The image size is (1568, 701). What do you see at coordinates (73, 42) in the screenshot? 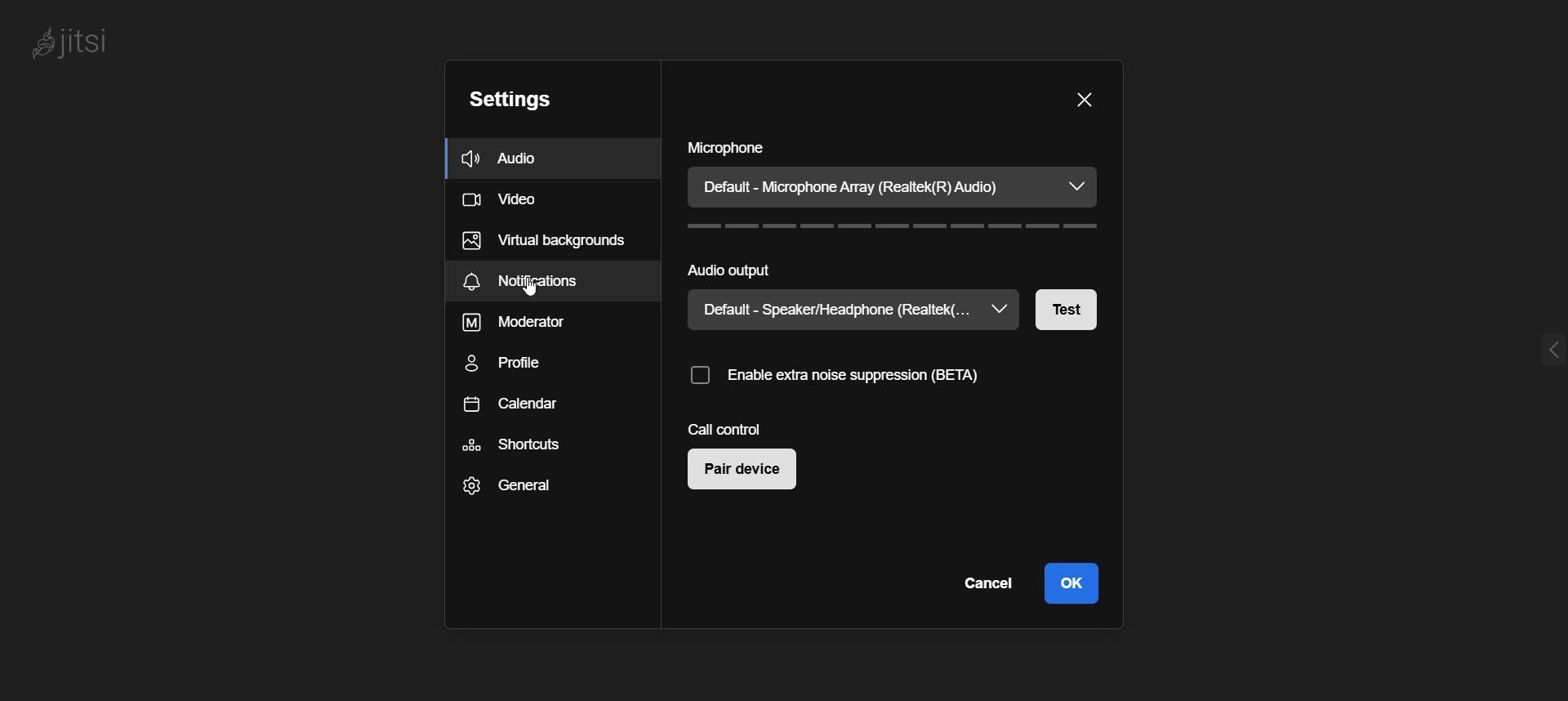
I see `jitsi` at bounding box center [73, 42].